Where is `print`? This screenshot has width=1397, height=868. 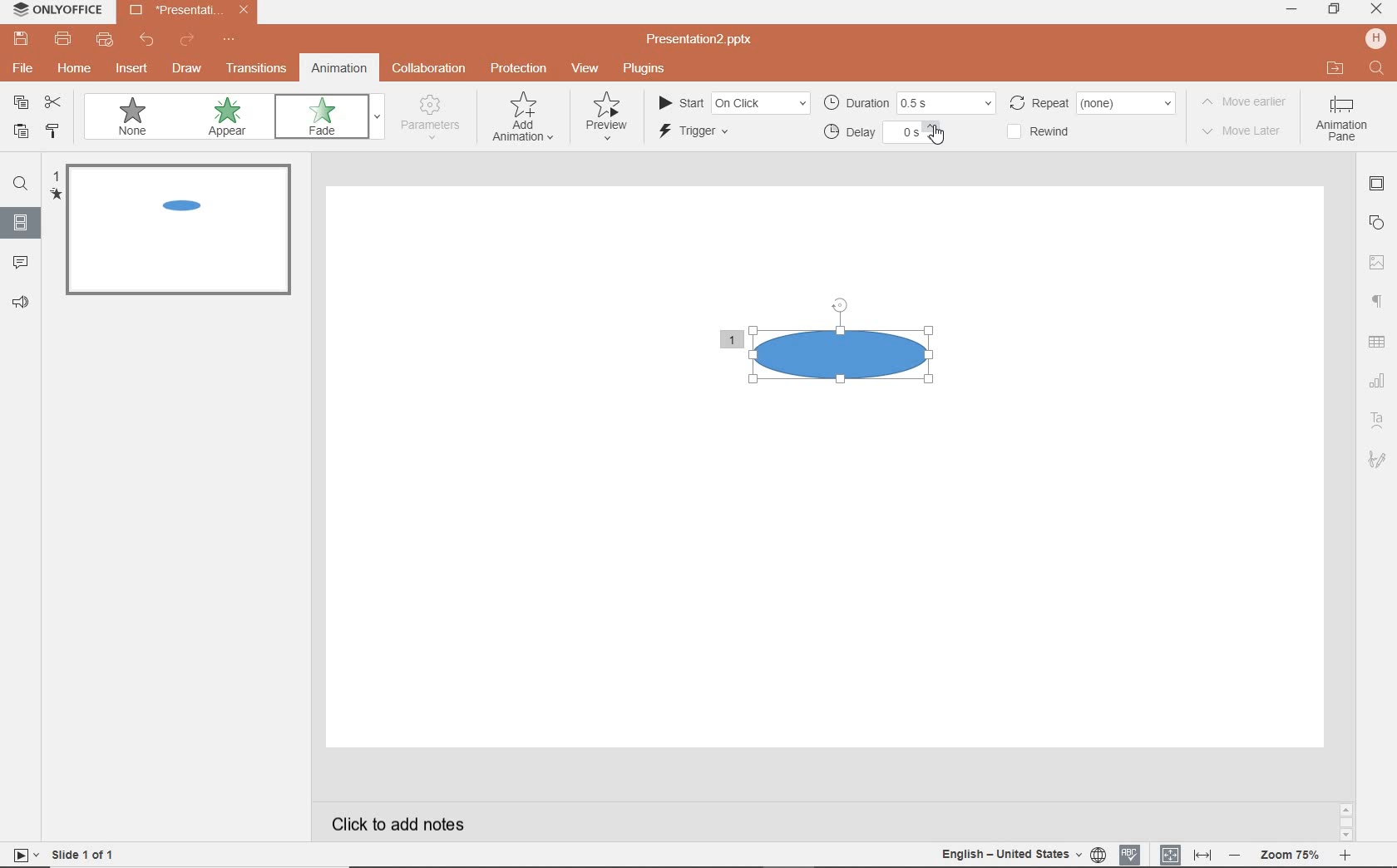
print is located at coordinates (66, 39).